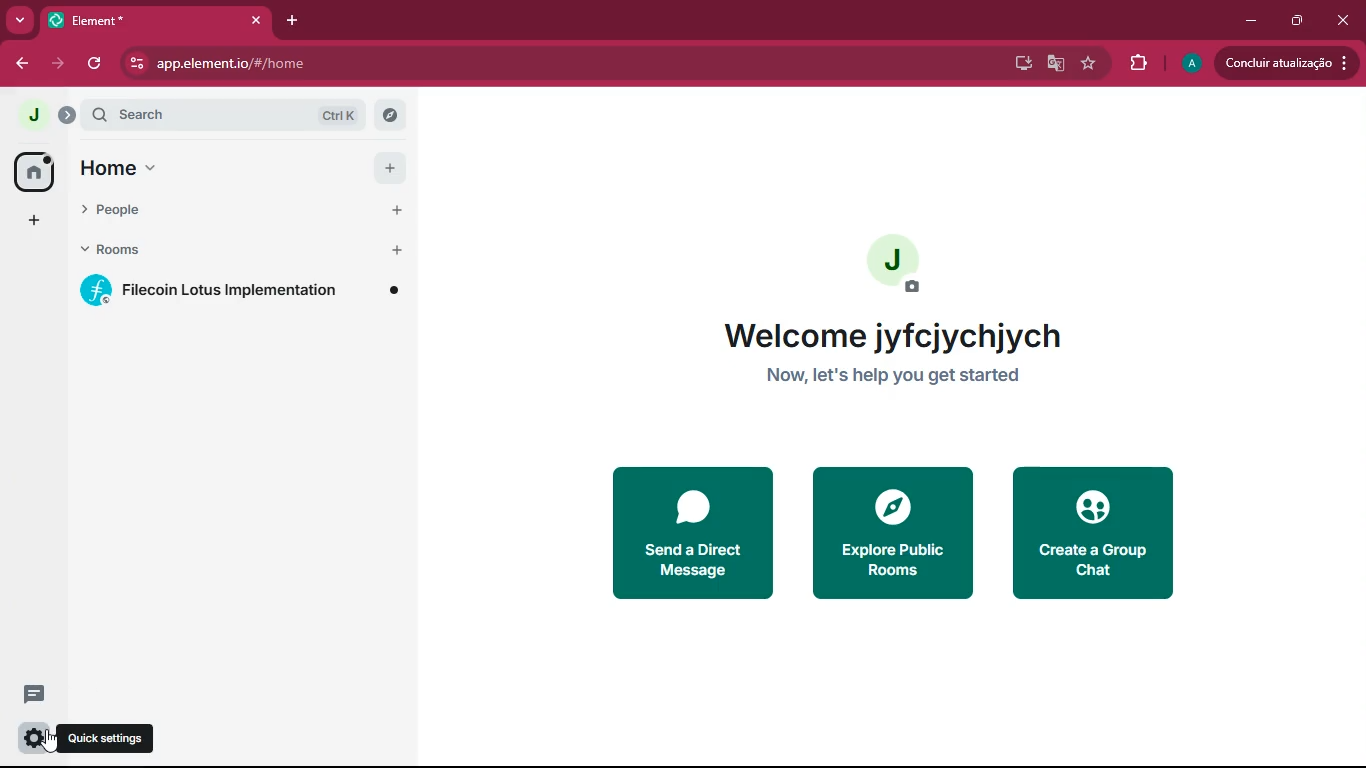 Image resolution: width=1366 pixels, height=768 pixels. I want to click on add button, so click(394, 208).